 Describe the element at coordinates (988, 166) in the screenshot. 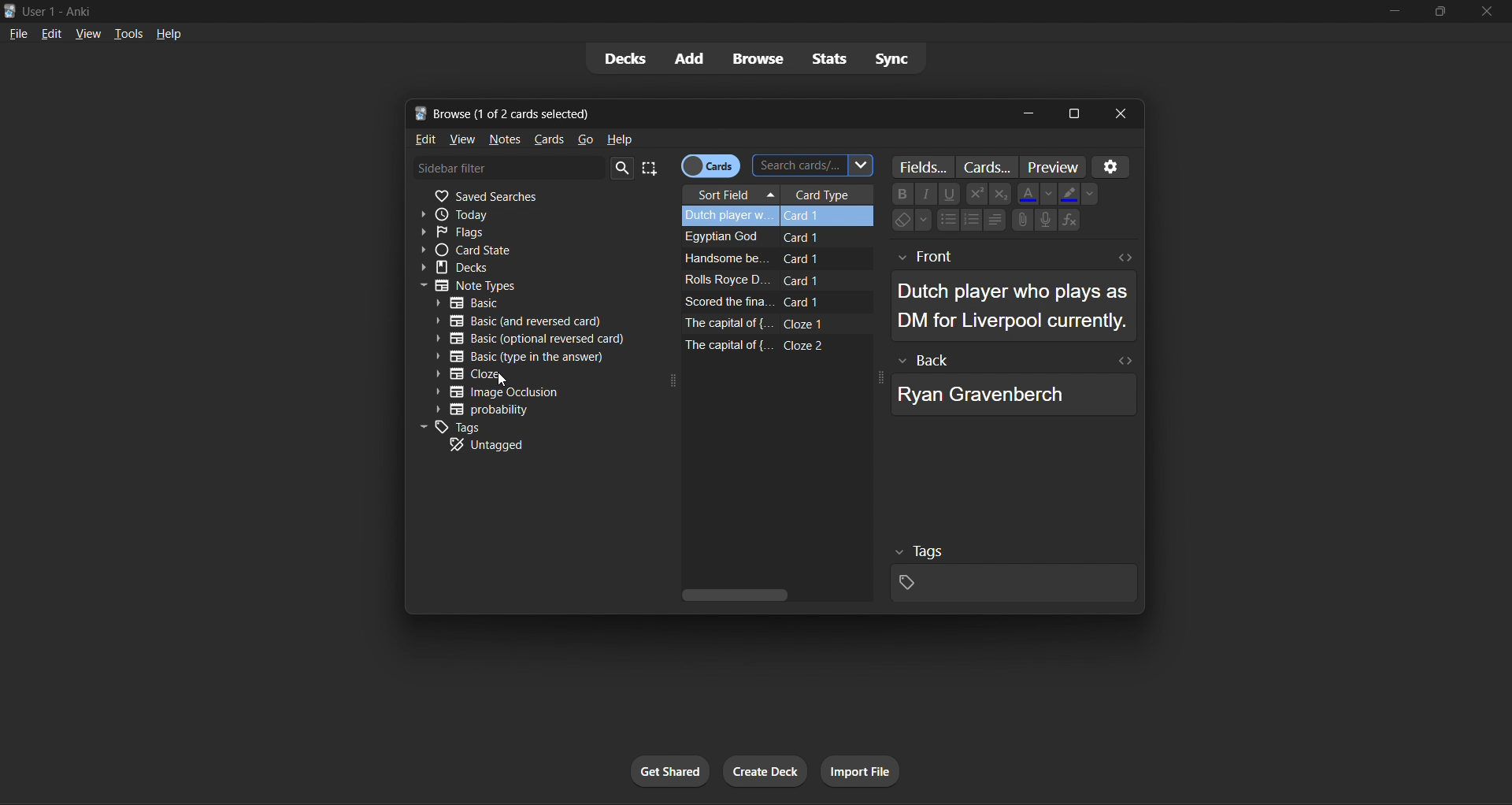

I see `customize card template` at that location.